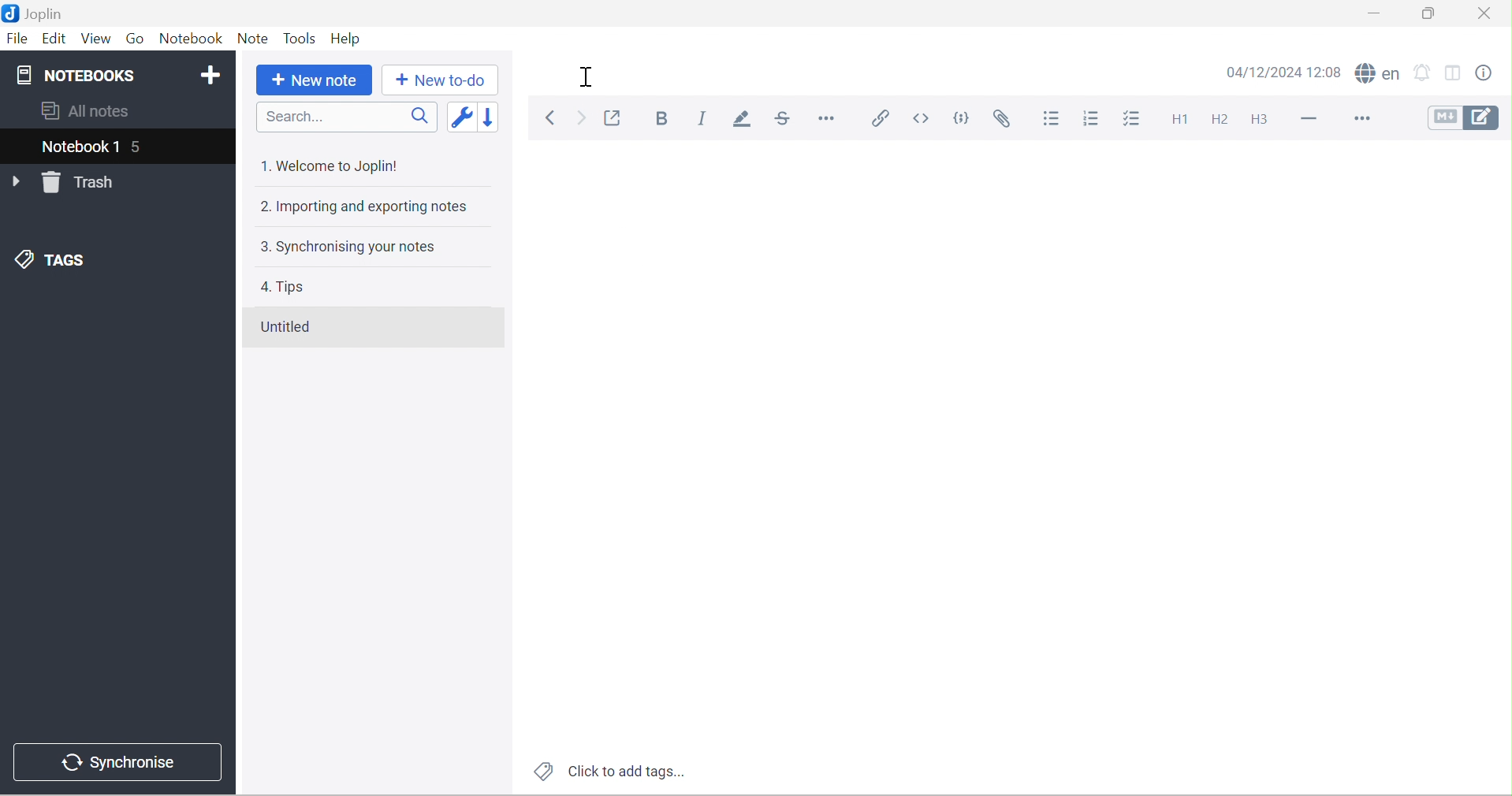  I want to click on Tools, so click(301, 38).